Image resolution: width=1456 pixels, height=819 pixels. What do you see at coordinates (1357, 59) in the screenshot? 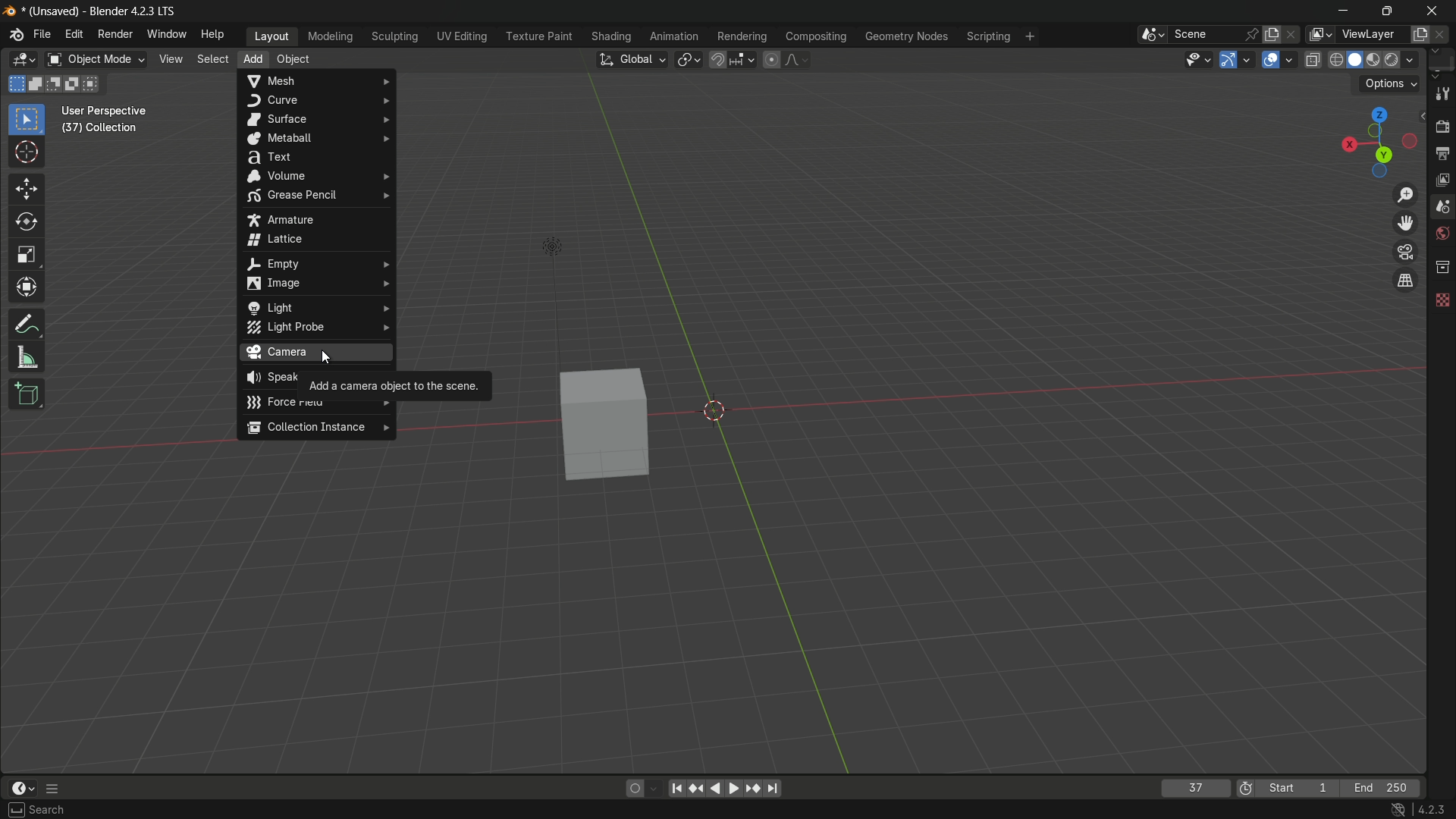
I see `solid` at bounding box center [1357, 59].